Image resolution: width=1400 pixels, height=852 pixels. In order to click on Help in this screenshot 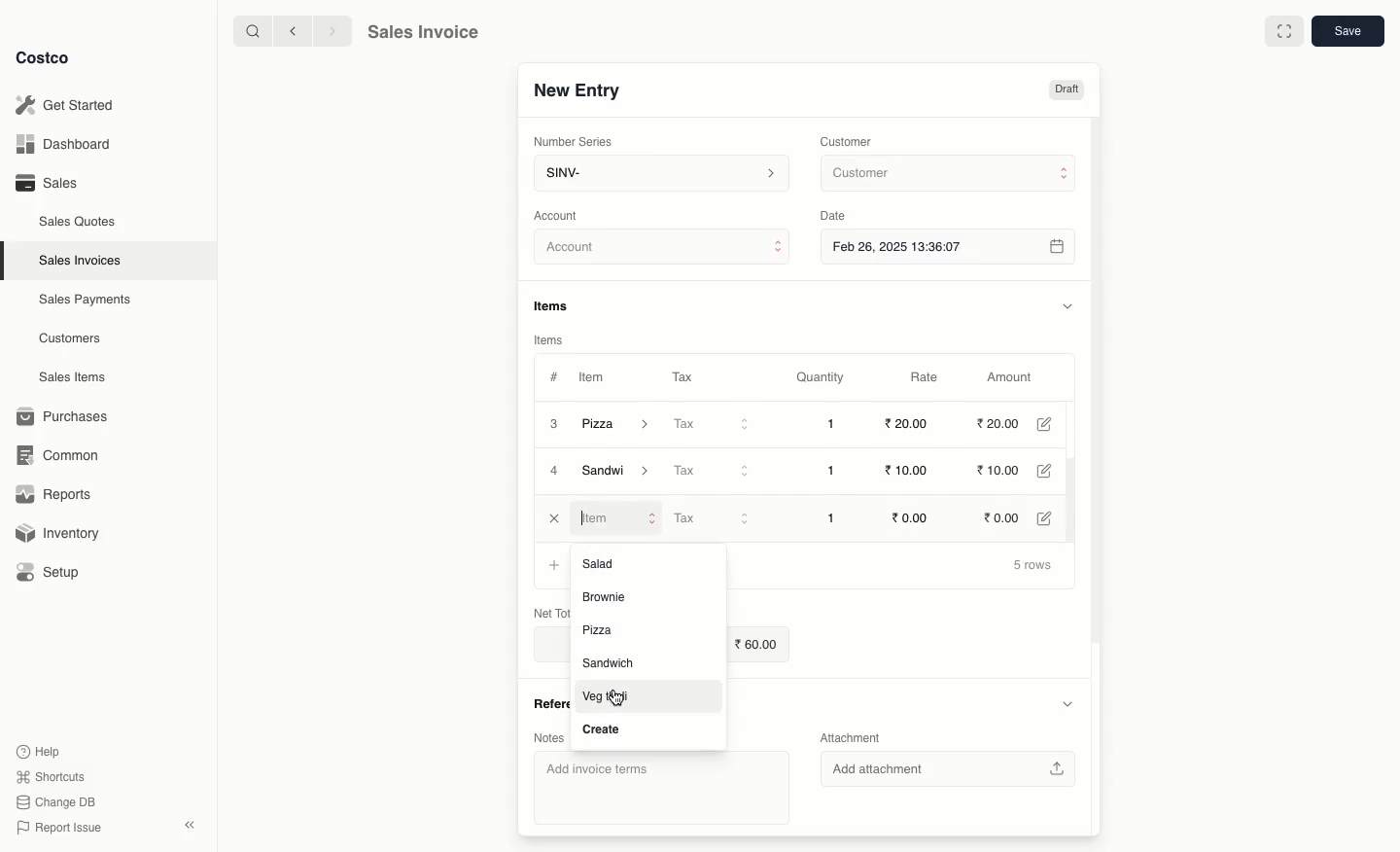, I will do `click(40, 750)`.